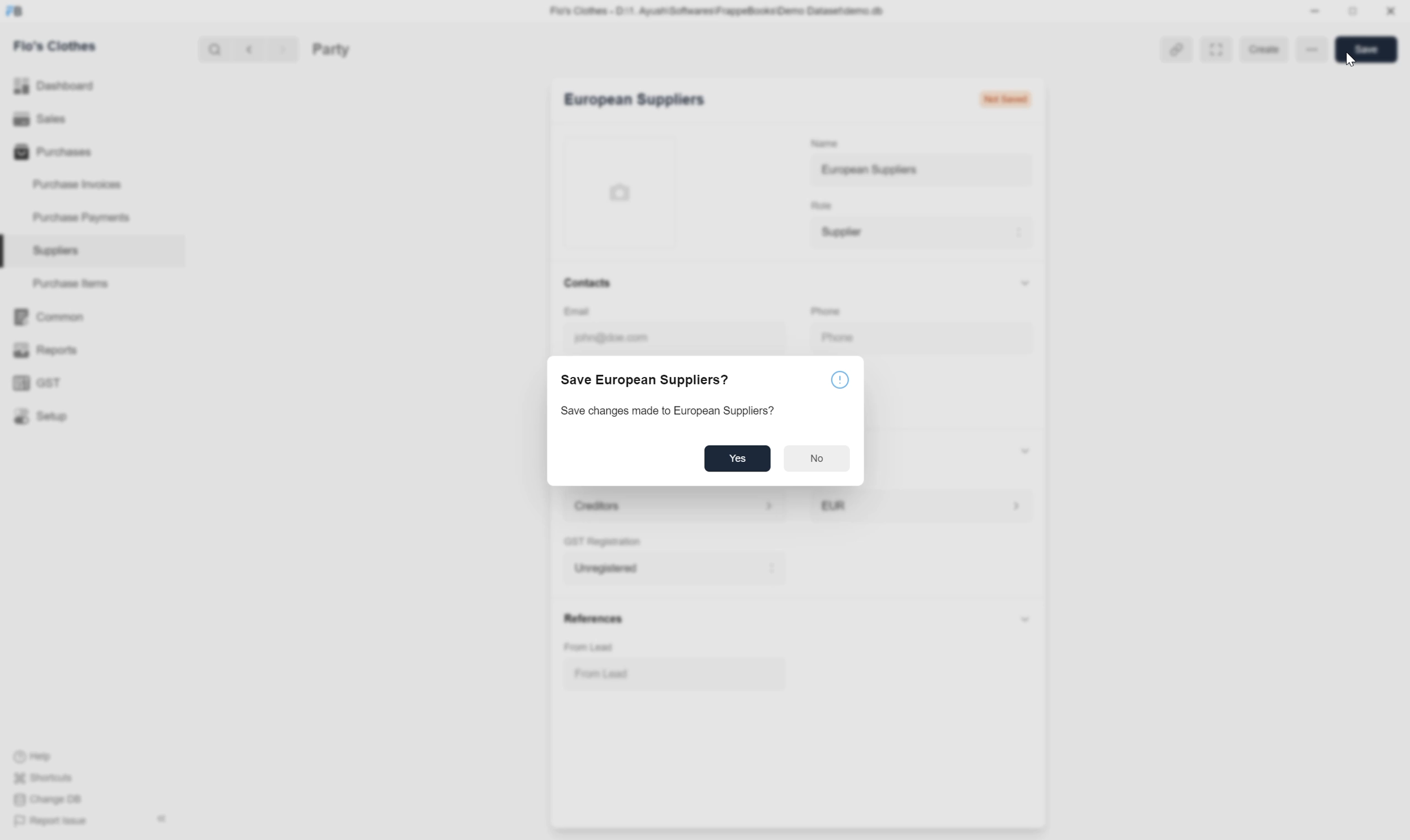 This screenshot has width=1410, height=840. I want to click on European Suppliers, so click(860, 169).